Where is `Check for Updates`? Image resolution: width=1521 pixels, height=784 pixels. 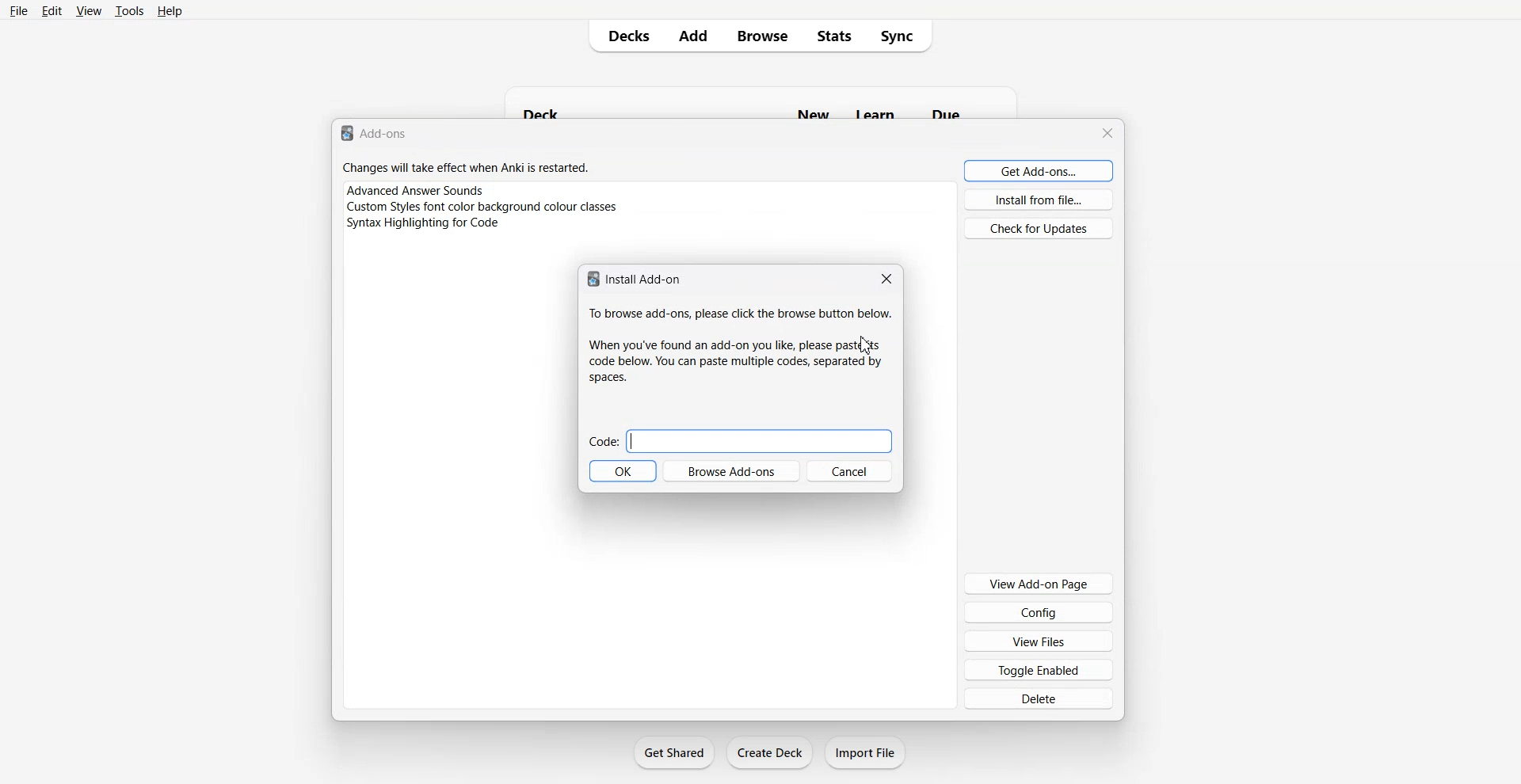
Check for Updates is located at coordinates (1041, 228).